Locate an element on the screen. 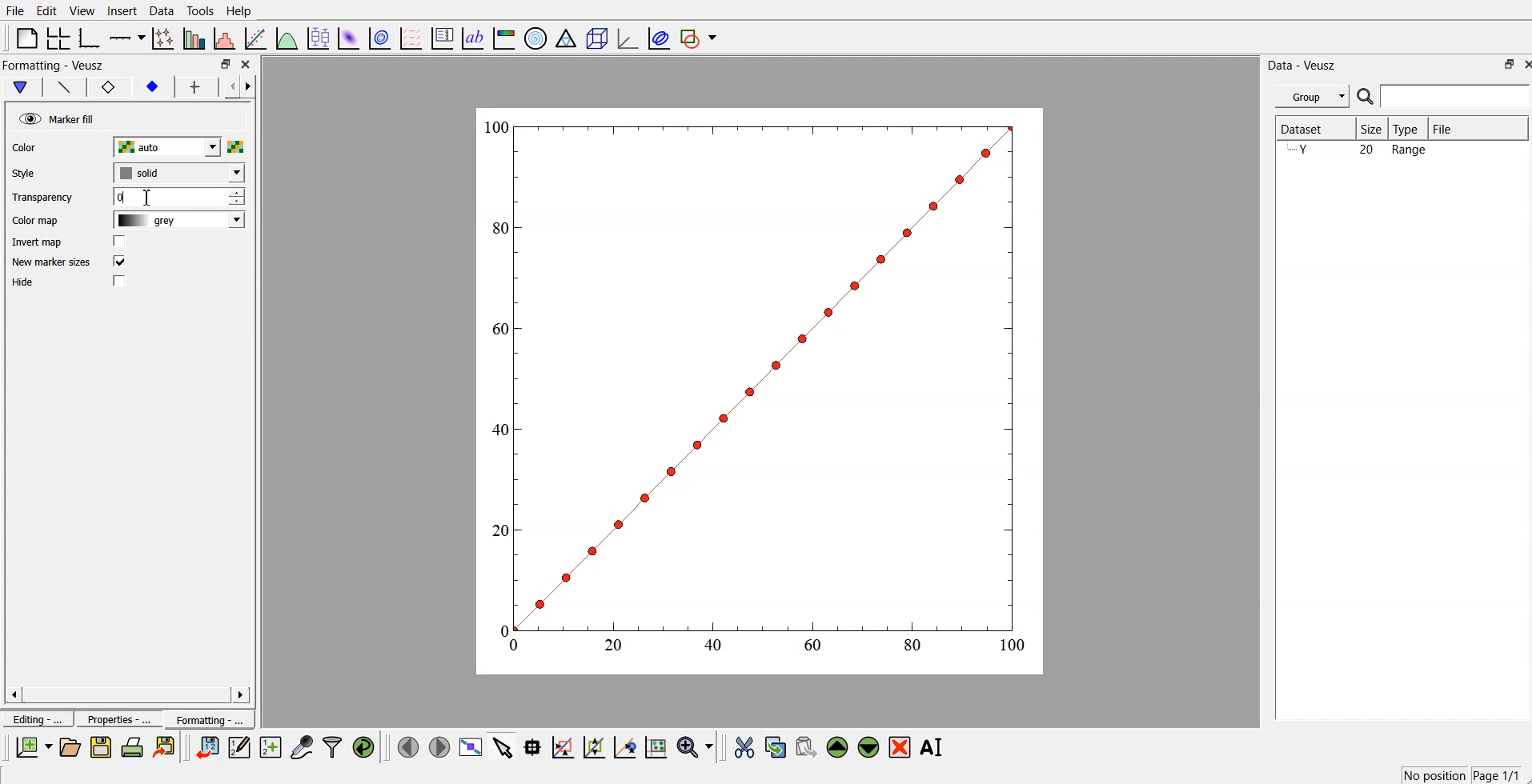  plot a vector field is located at coordinates (413, 38).